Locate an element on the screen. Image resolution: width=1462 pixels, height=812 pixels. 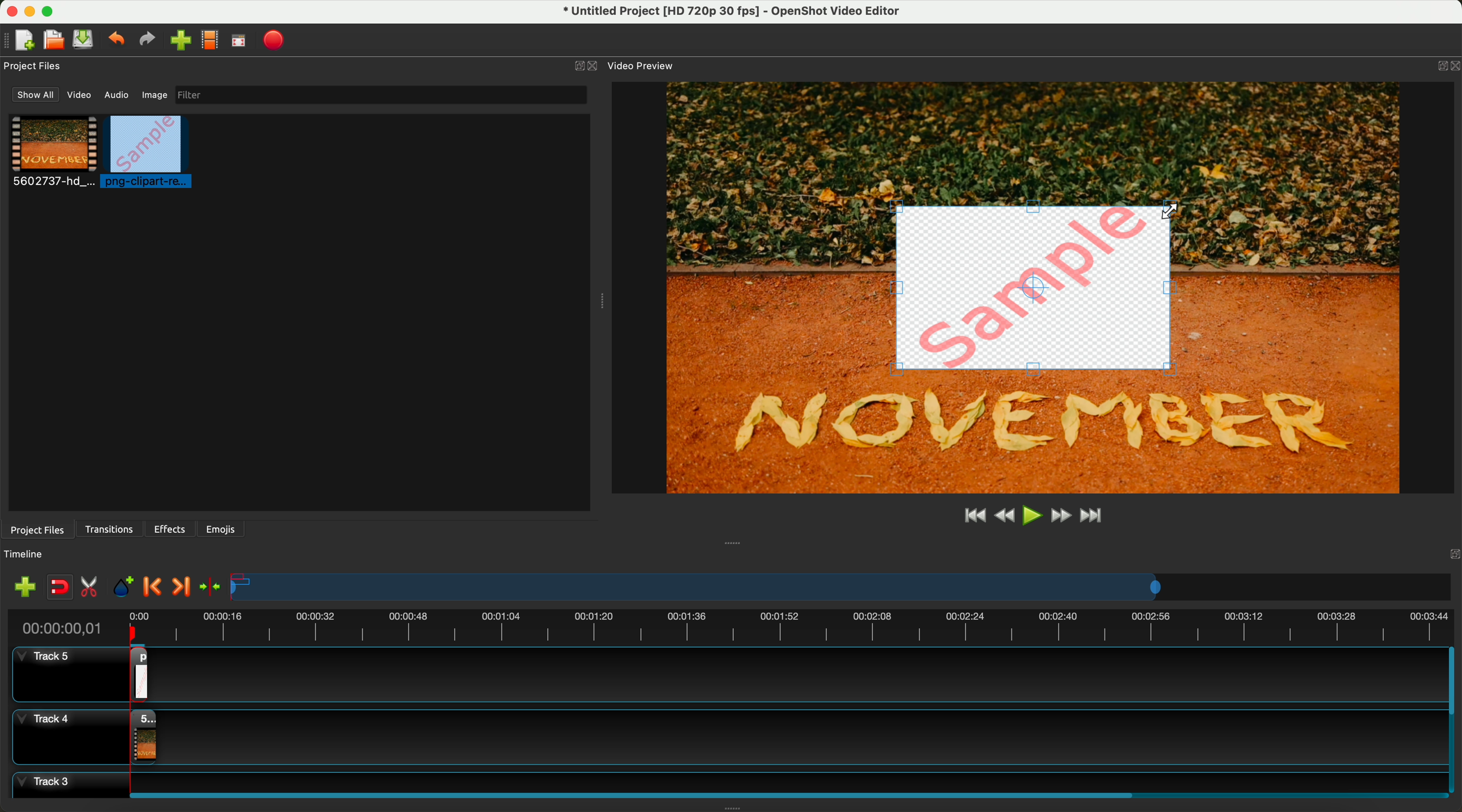
undo is located at coordinates (118, 41).